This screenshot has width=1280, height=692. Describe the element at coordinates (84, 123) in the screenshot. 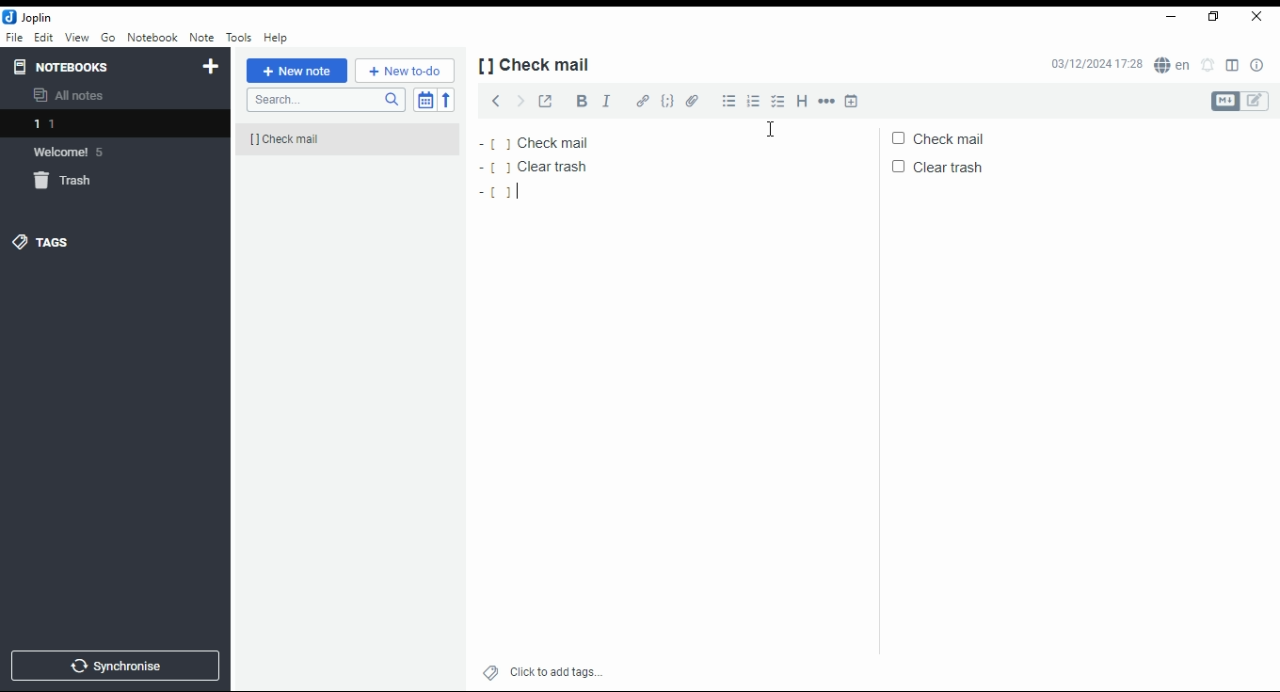

I see `notebook 1` at that location.